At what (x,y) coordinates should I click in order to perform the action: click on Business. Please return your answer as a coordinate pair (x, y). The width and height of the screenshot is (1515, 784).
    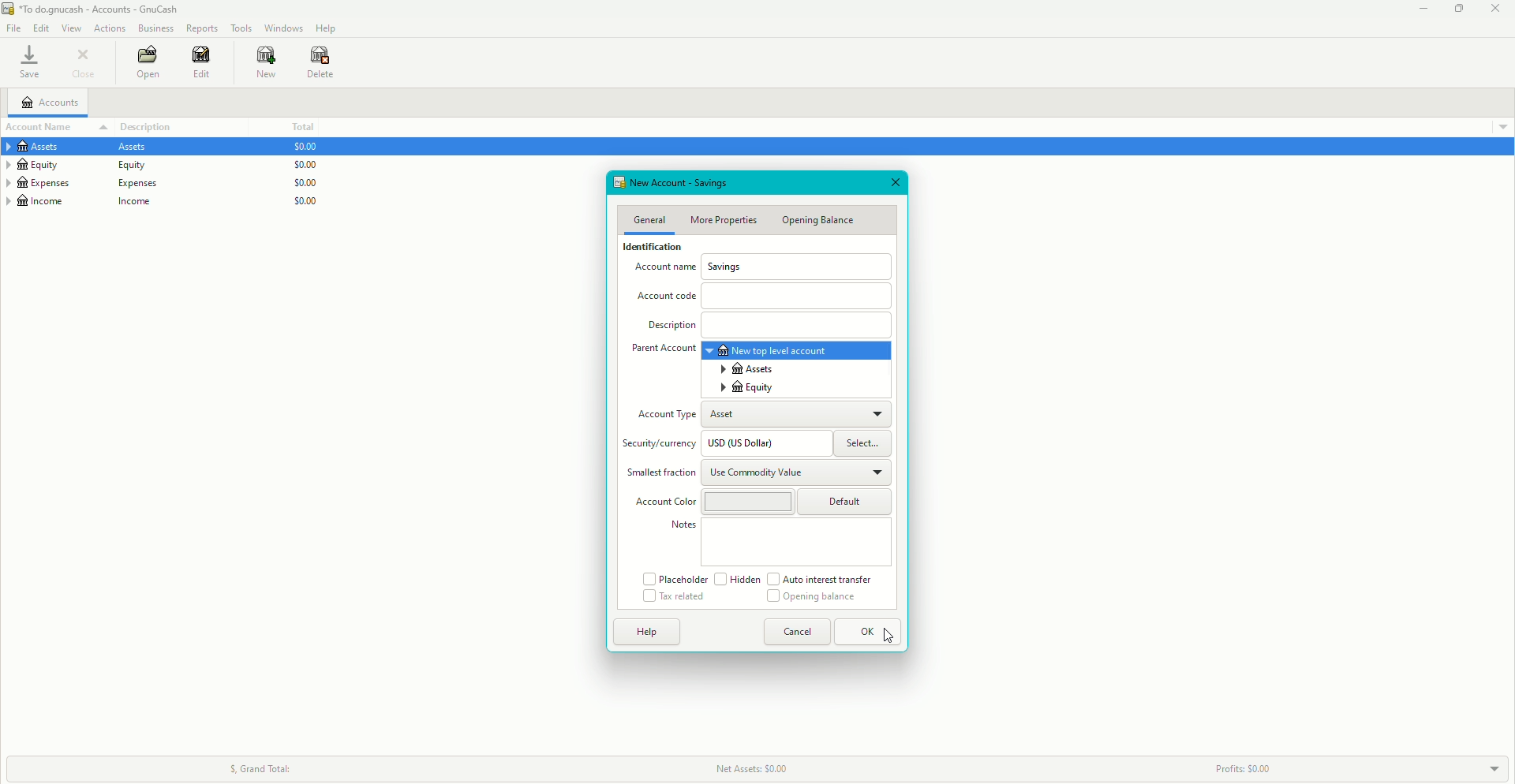
    Looking at the image, I should click on (156, 29).